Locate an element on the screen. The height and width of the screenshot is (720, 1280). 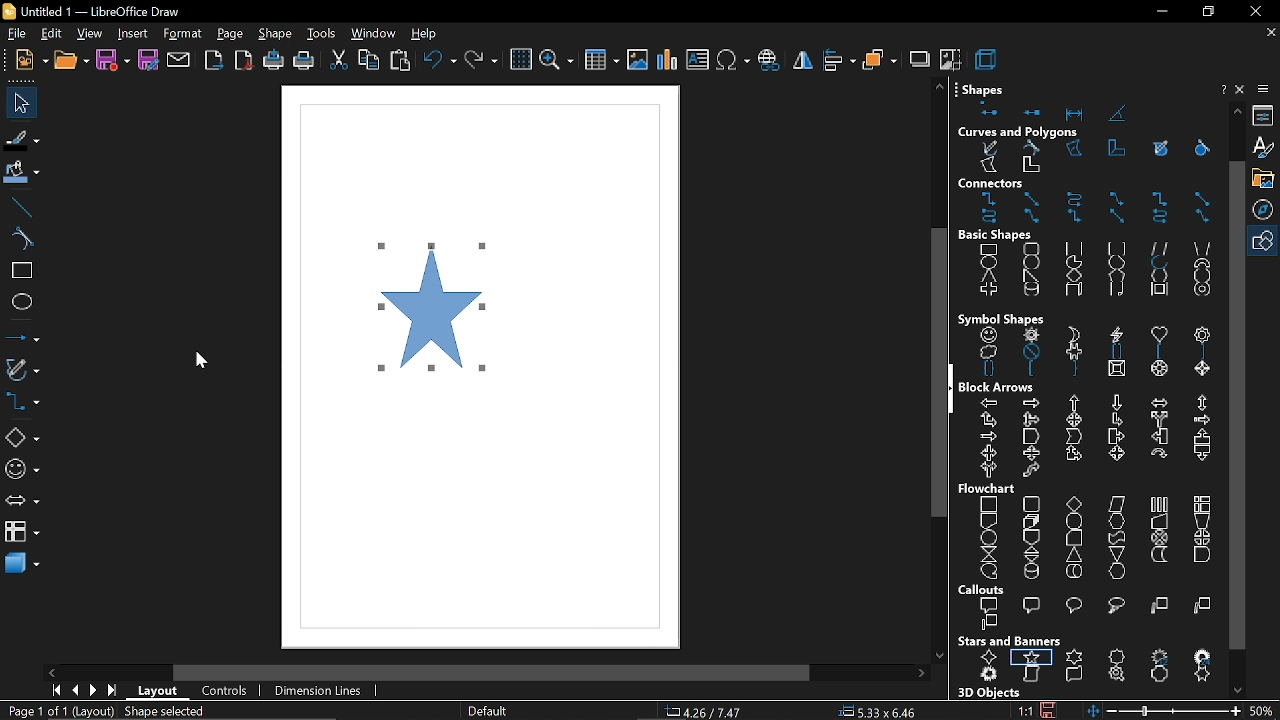
styles is located at coordinates (1266, 148).